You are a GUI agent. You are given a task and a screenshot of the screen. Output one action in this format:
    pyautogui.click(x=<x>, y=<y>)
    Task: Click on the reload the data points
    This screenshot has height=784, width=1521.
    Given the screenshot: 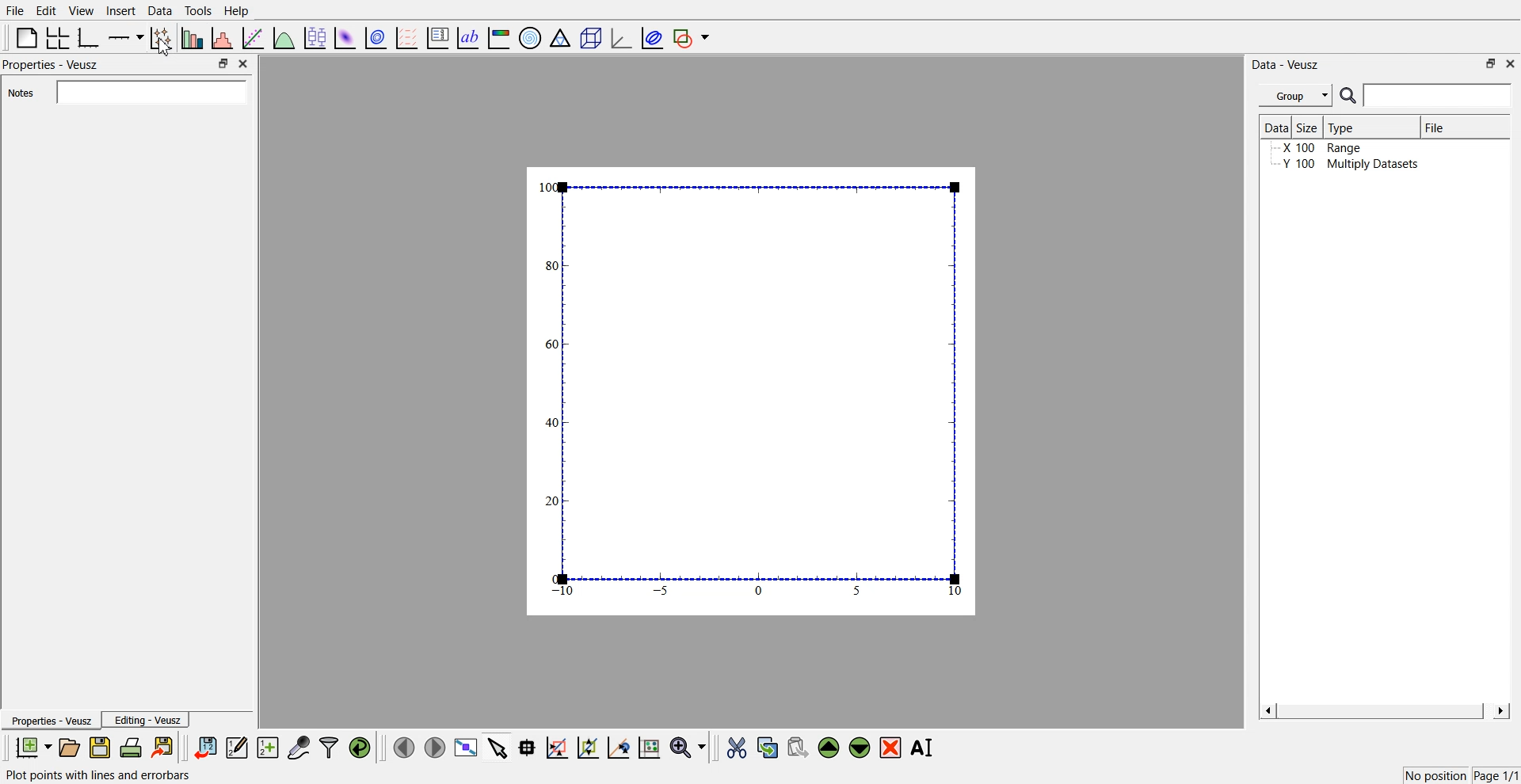 What is the action you would take?
    pyautogui.click(x=360, y=748)
    